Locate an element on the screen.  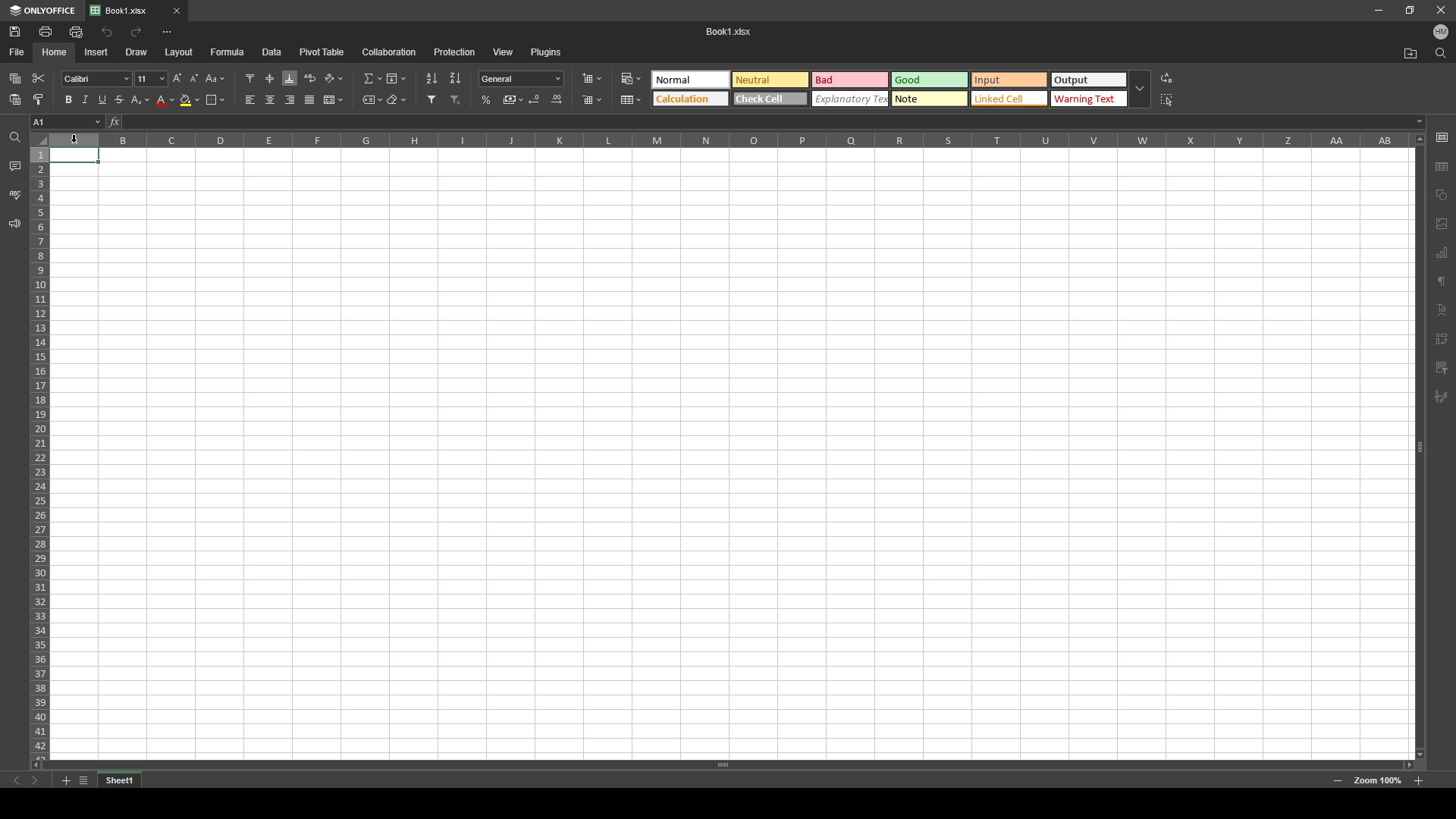
print file is located at coordinates (45, 31).